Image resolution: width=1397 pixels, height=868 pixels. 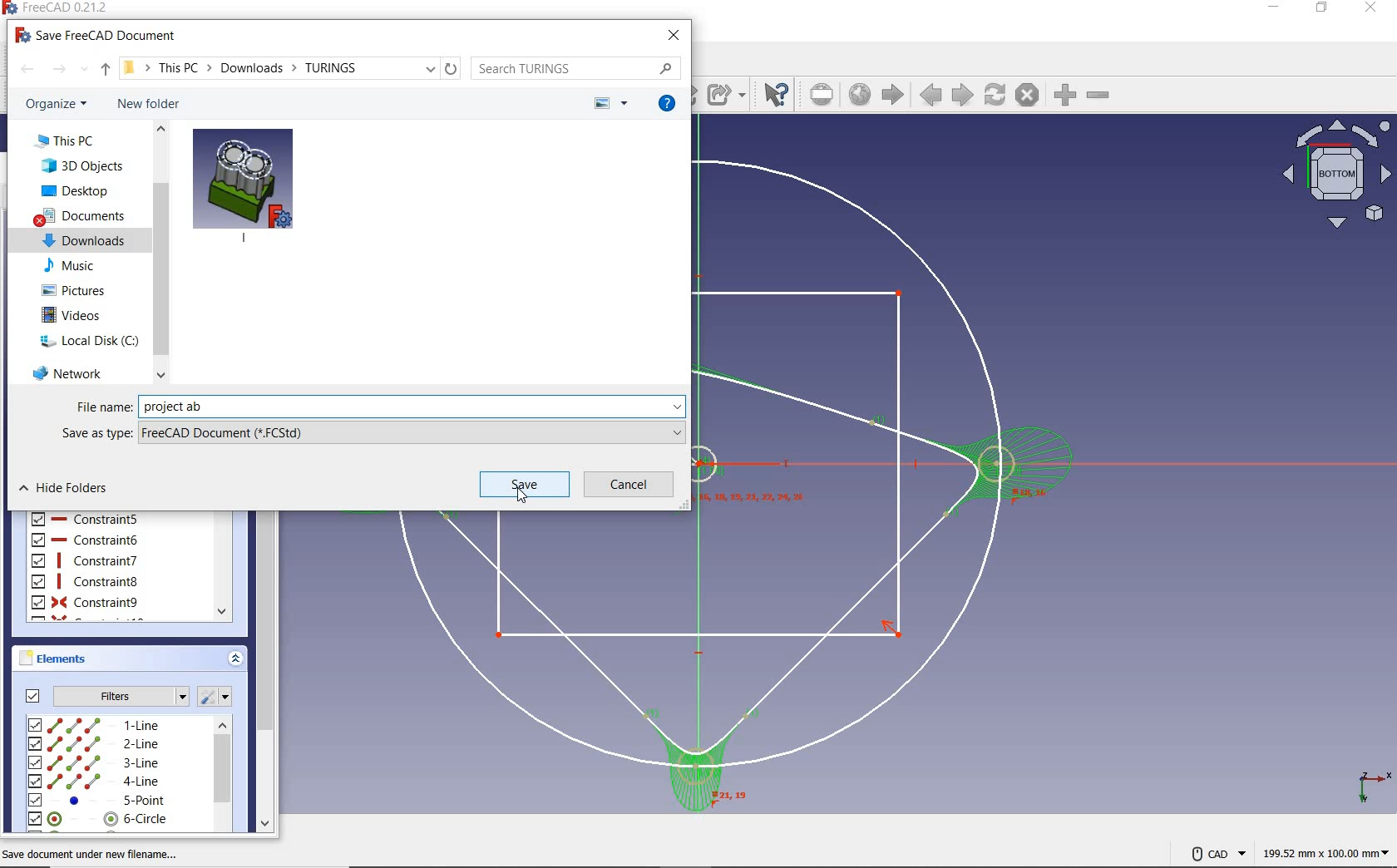 What do you see at coordinates (105, 70) in the screenshot?
I see `up` at bounding box center [105, 70].